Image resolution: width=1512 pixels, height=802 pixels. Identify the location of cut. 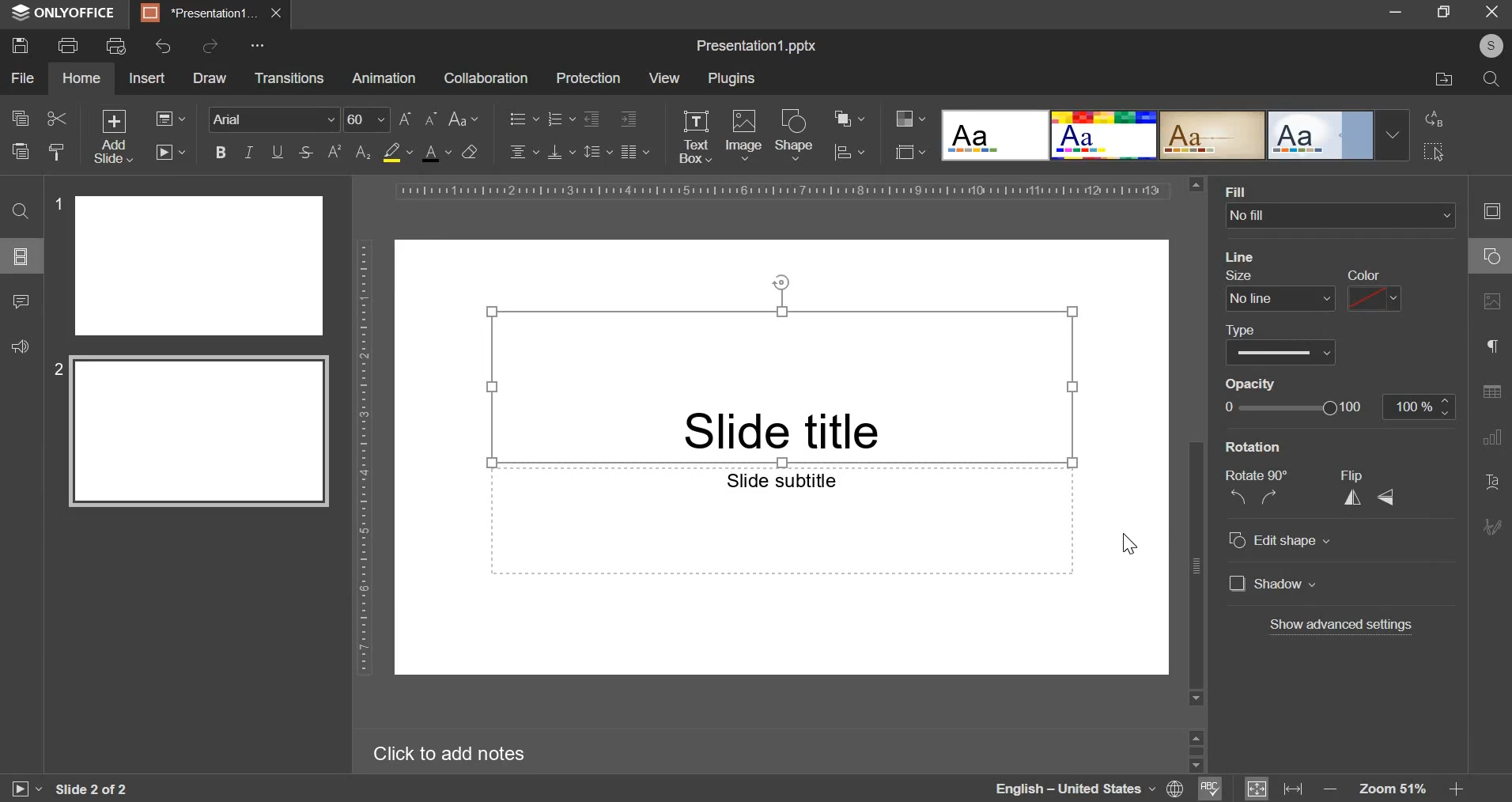
(58, 119).